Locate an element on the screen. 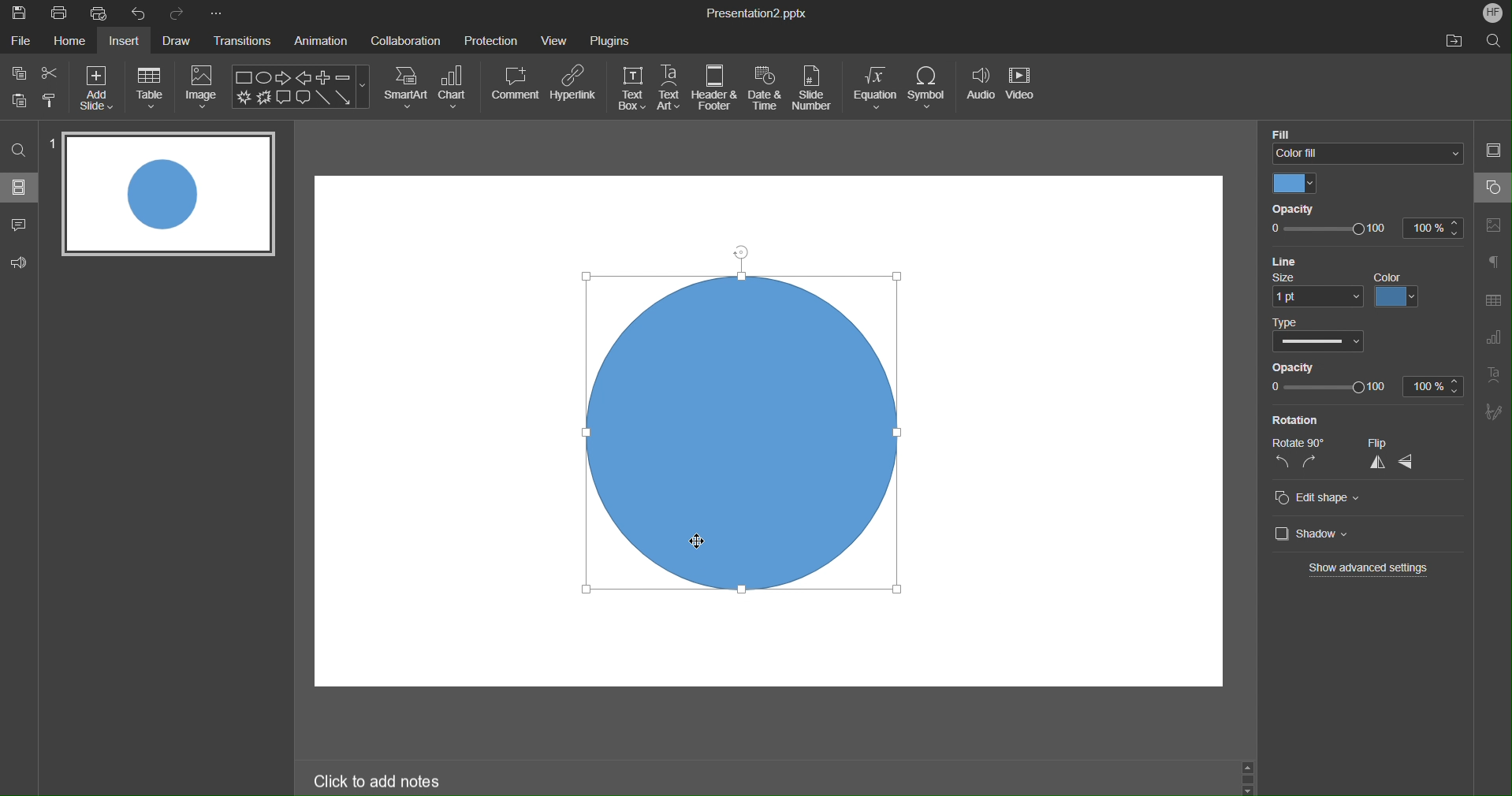  Sildes is located at coordinates (20, 187).